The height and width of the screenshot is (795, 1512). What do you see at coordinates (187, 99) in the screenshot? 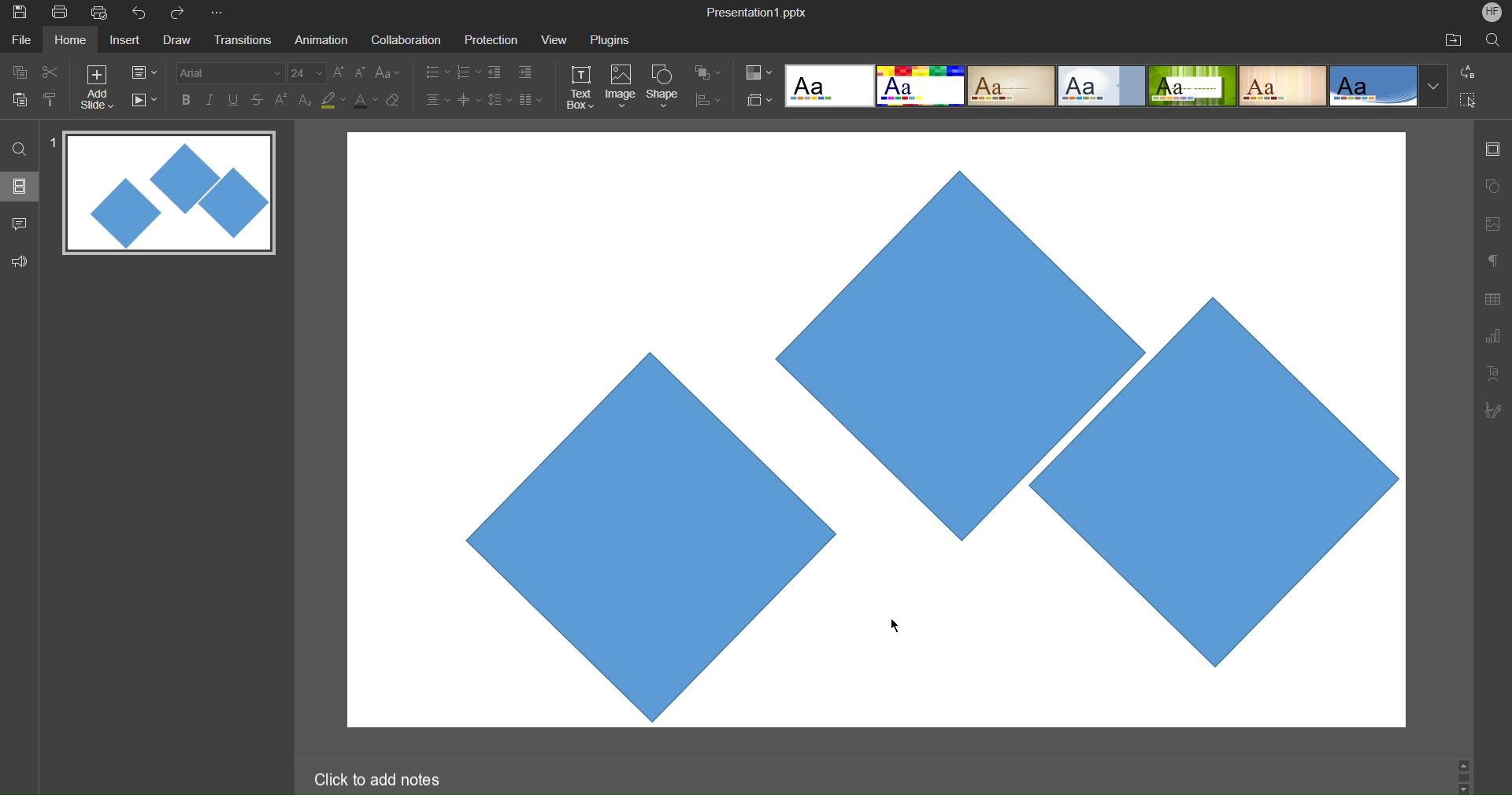
I see `Bold` at bounding box center [187, 99].